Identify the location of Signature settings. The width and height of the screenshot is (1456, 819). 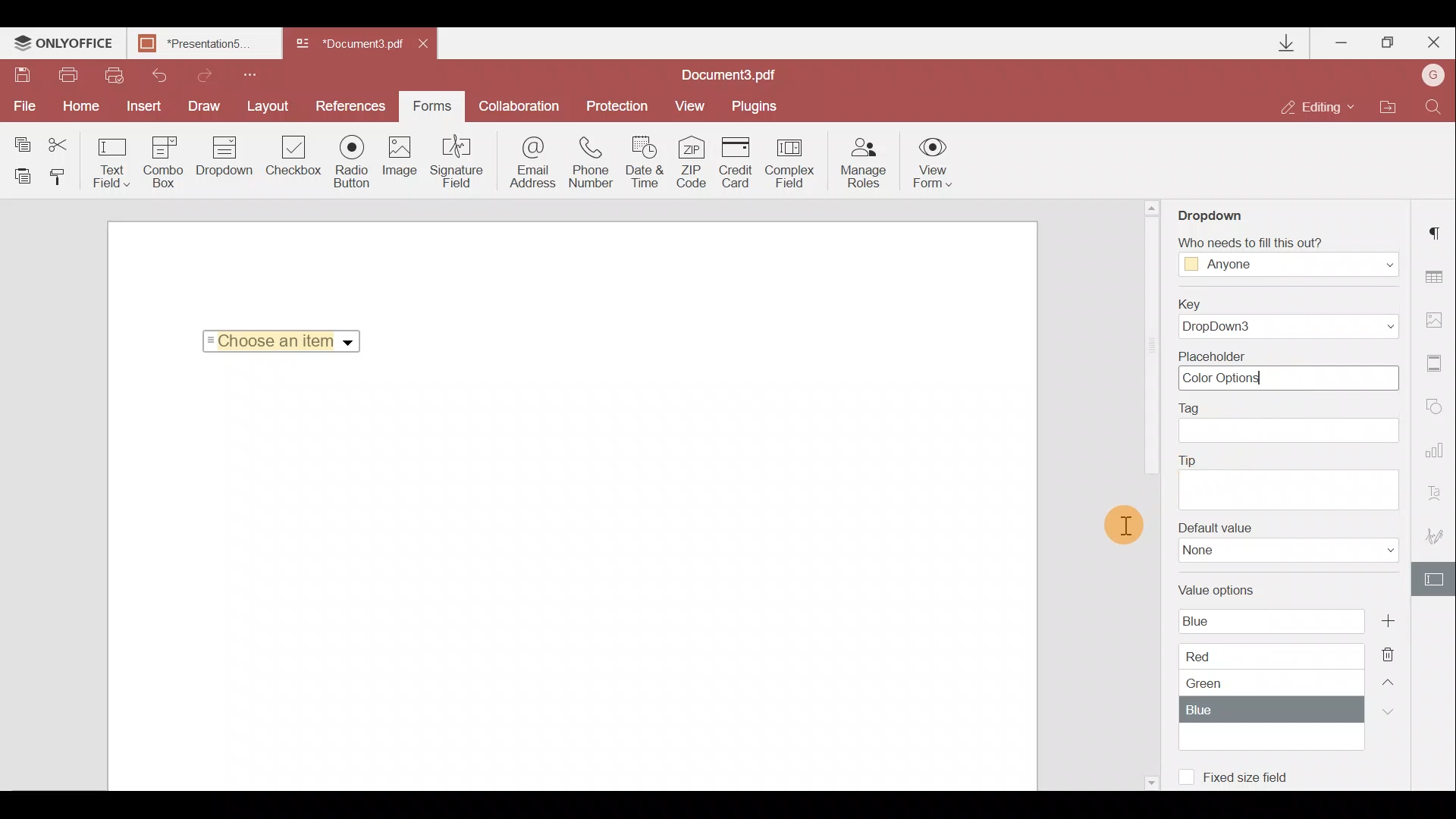
(1433, 531).